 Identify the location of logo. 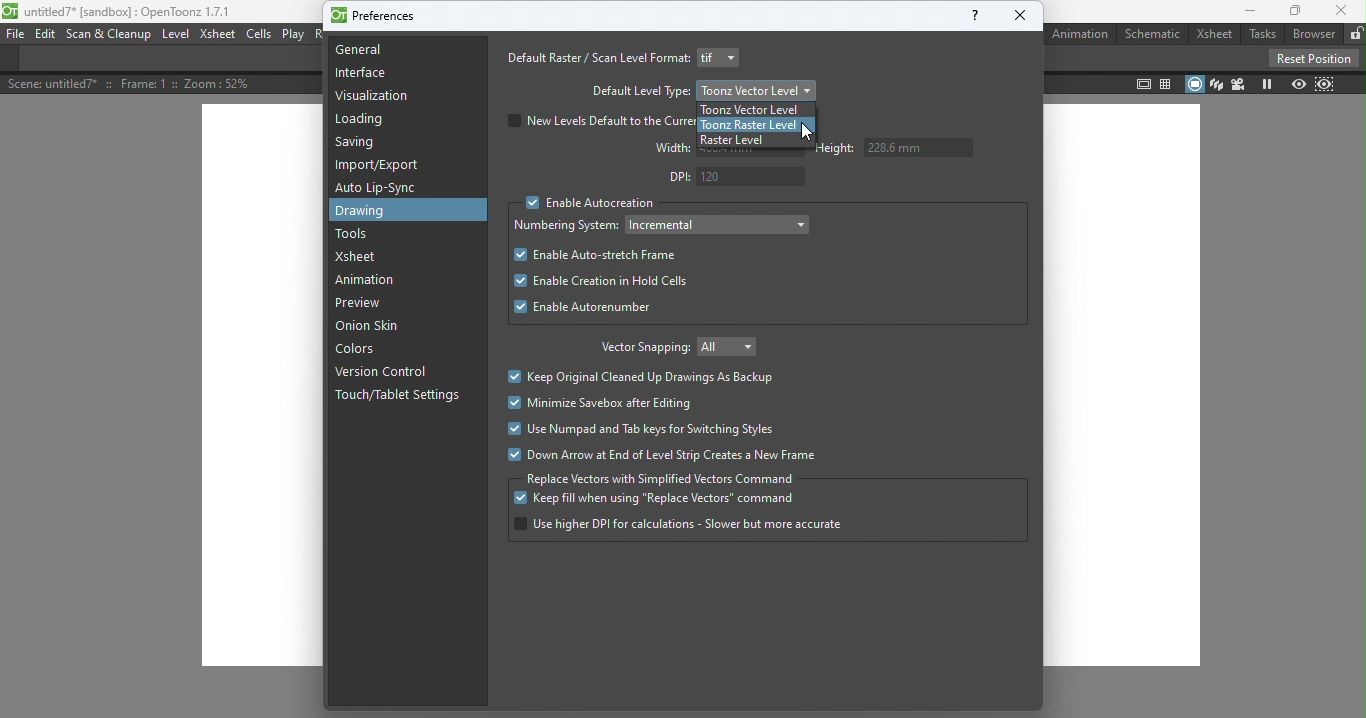
(11, 12).